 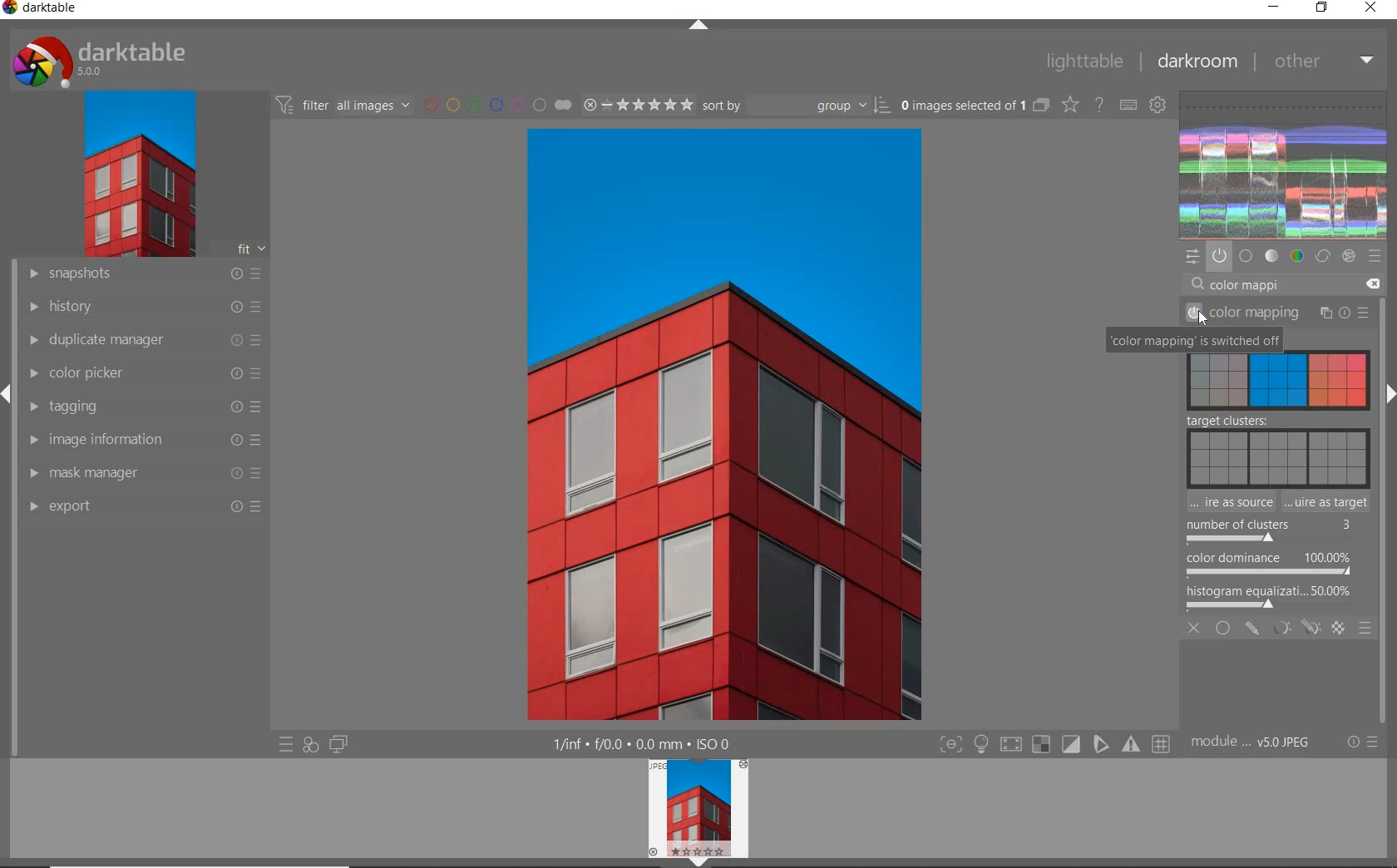 What do you see at coordinates (1196, 630) in the screenshot?
I see `CLOSE` at bounding box center [1196, 630].